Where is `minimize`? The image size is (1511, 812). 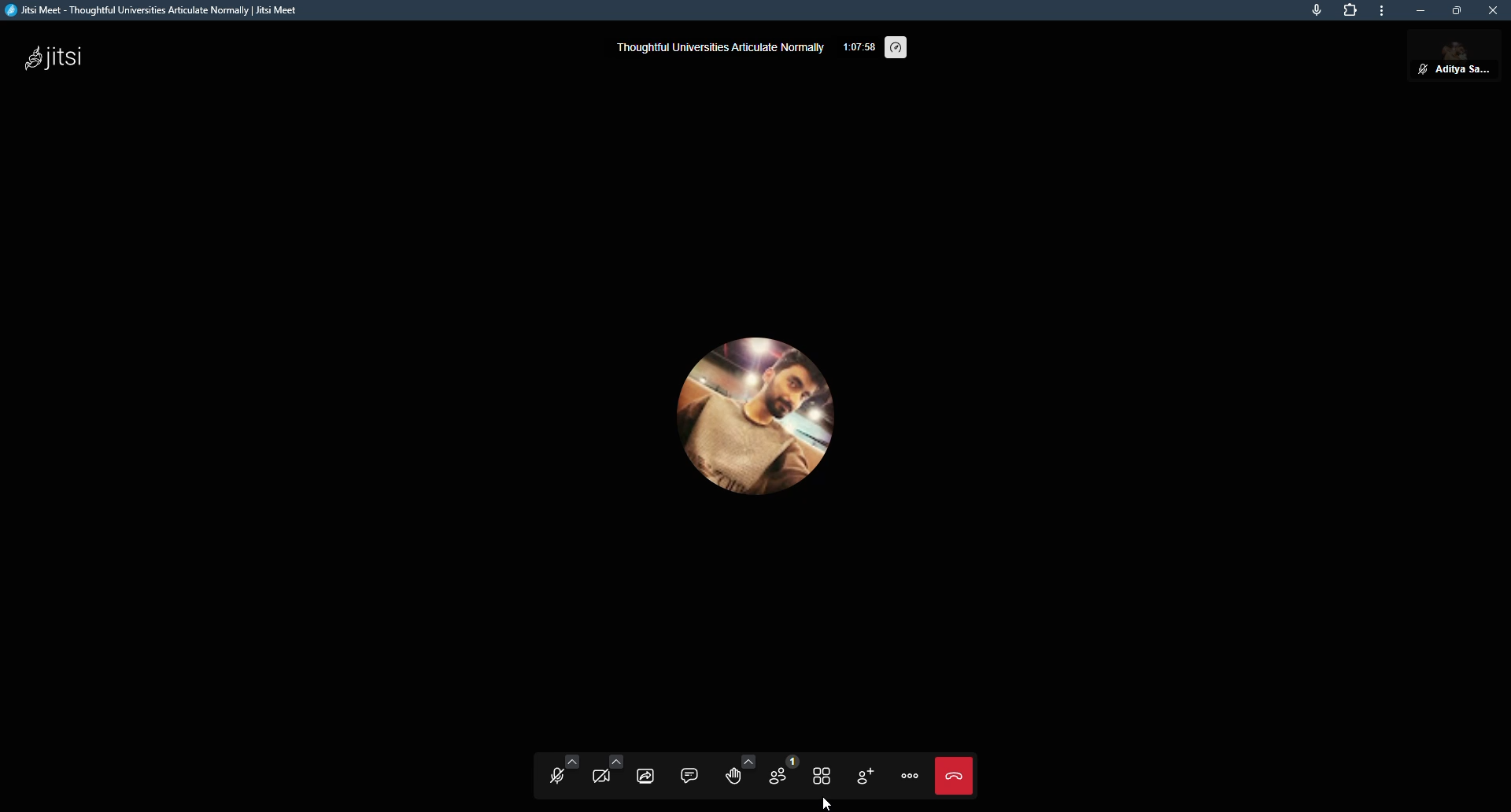 minimize is located at coordinates (1422, 10).